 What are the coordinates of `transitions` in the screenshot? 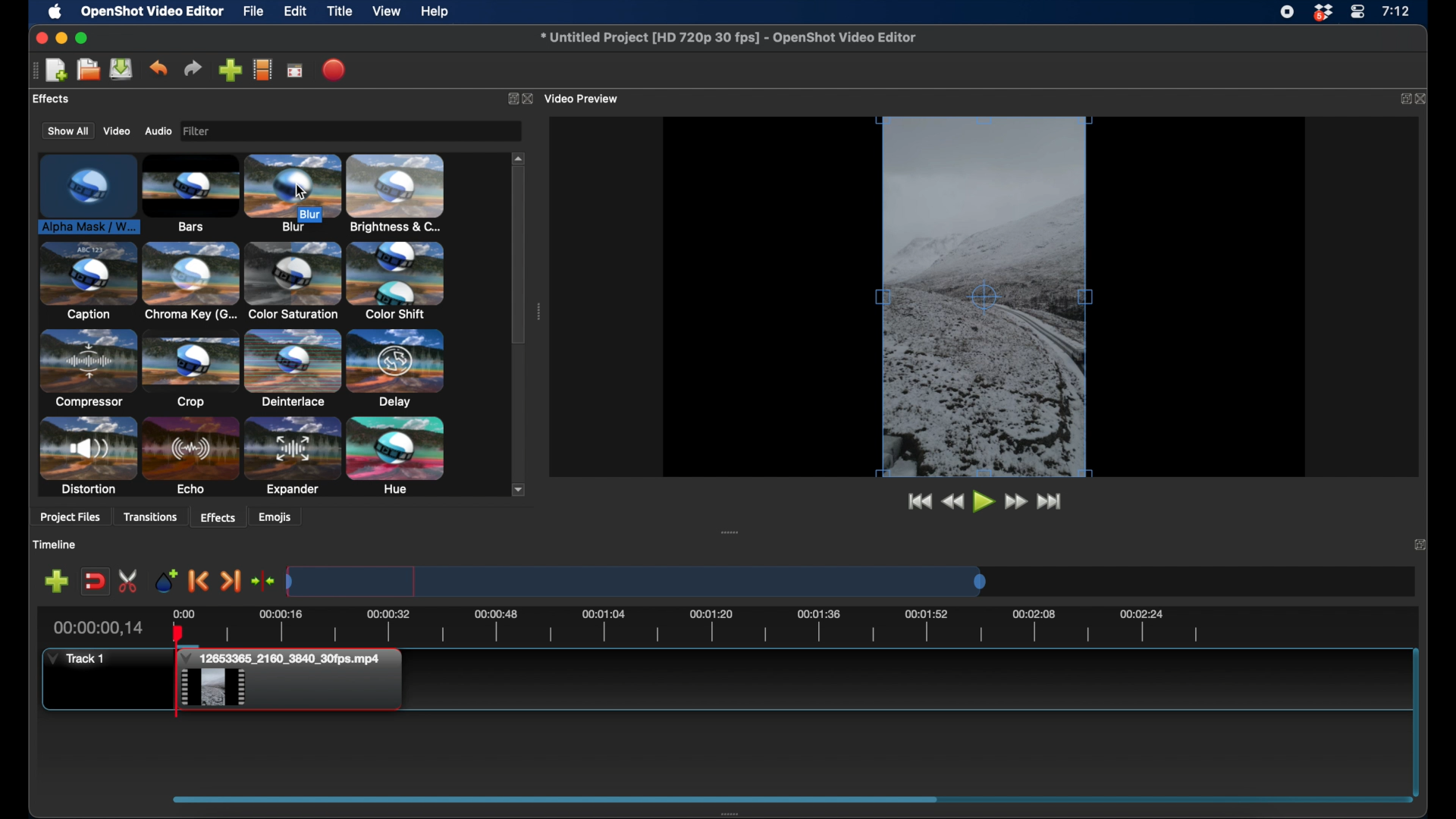 It's located at (150, 517).